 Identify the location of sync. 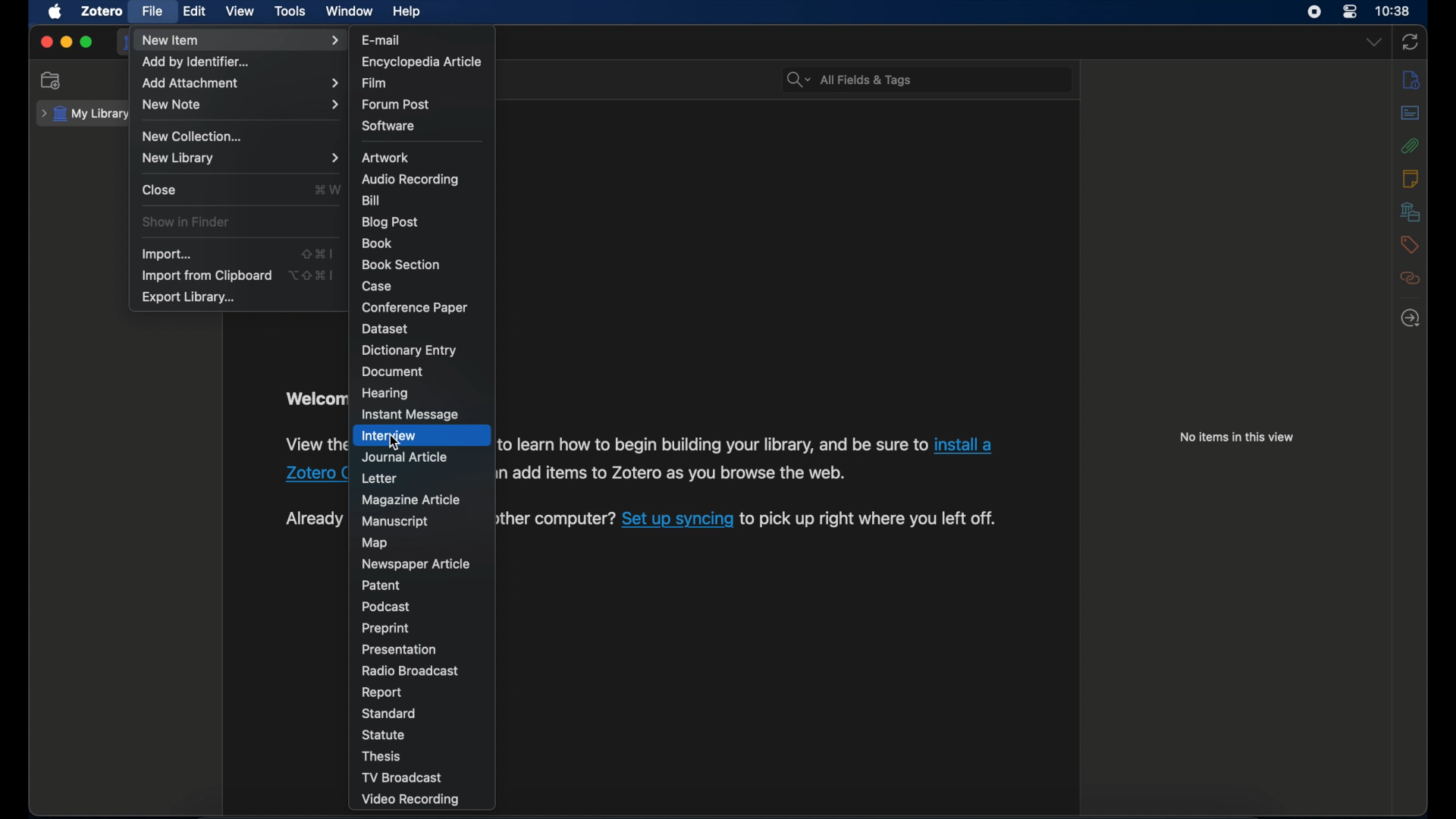
(1410, 42).